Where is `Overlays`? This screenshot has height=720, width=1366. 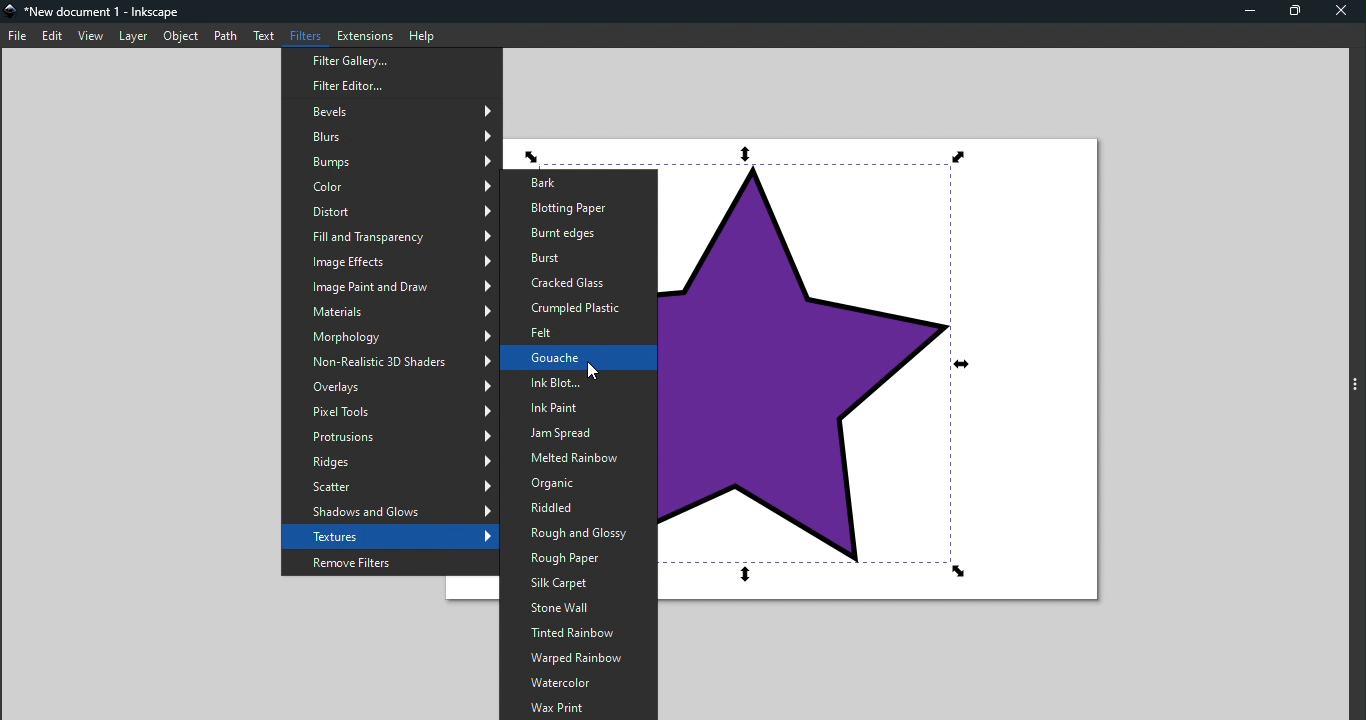
Overlays is located at coordinates (390, 389).